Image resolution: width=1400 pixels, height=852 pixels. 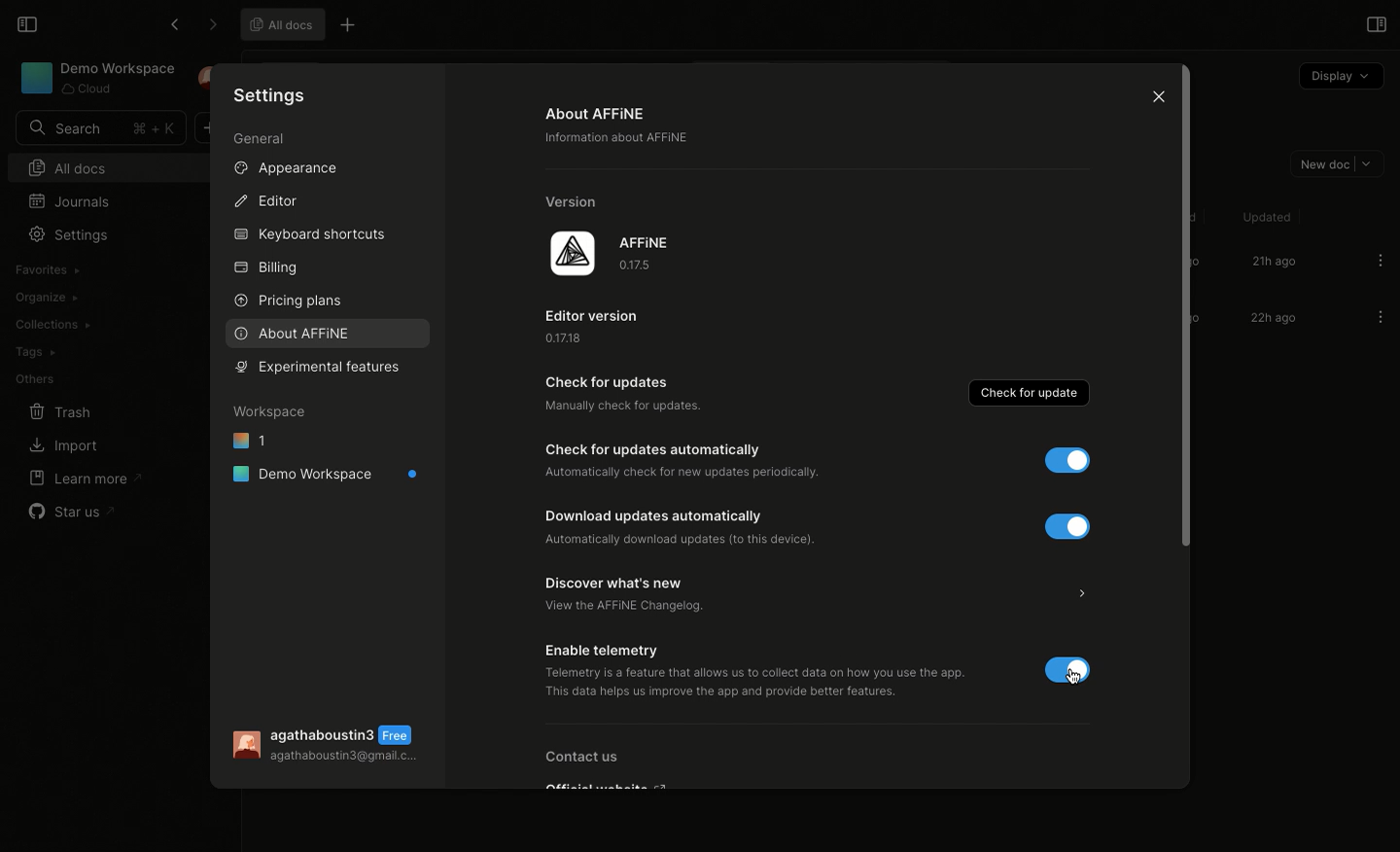 What do you see at coordinates (264, 199) in the screenshot?
I see `Editor` at bounding box center [264, 199].